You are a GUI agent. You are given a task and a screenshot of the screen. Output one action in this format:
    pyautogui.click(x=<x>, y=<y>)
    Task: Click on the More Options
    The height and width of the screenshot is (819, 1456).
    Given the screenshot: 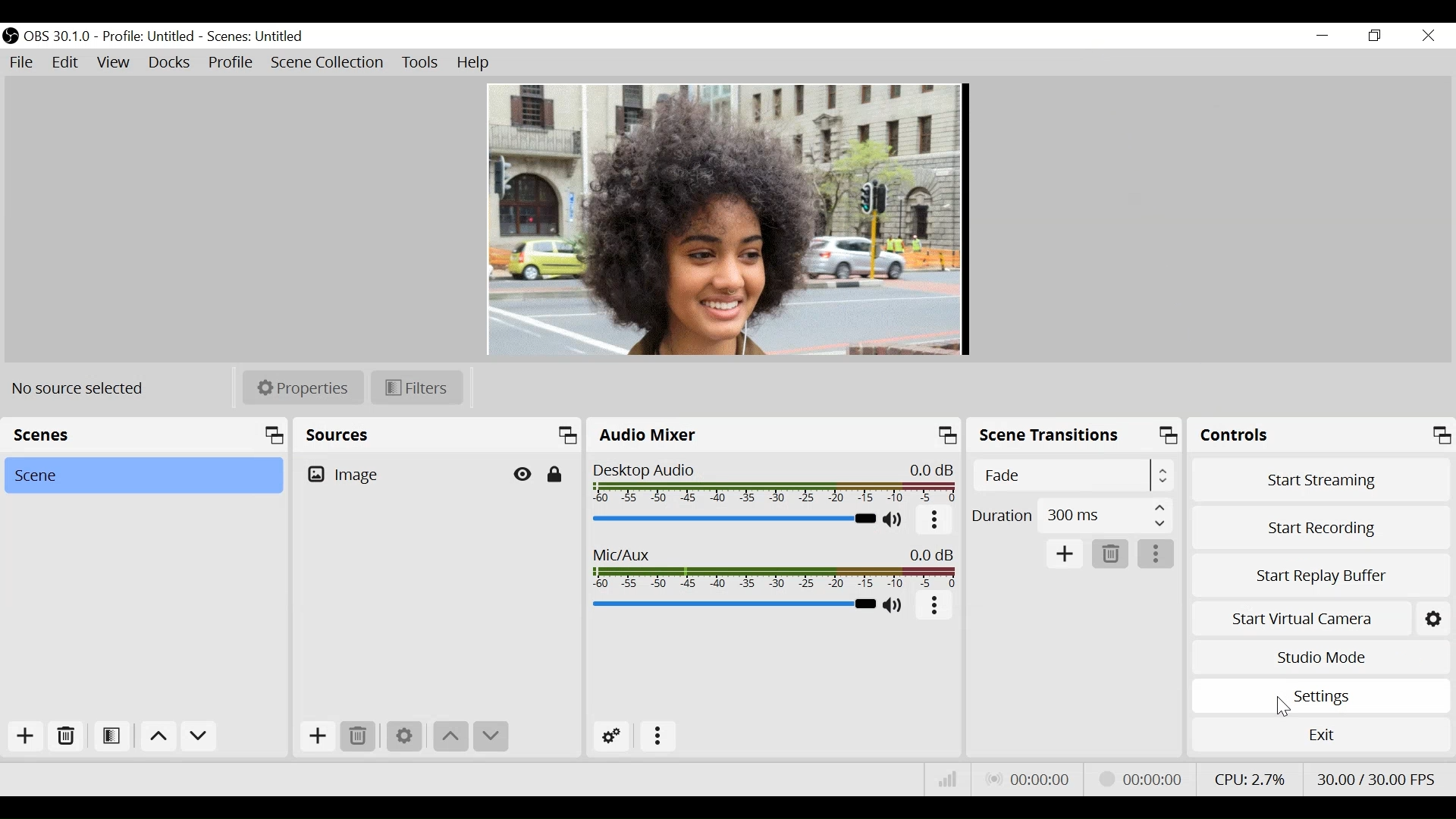 What is the action you would take?
    pyautogui.click(x=935, y=608)
    